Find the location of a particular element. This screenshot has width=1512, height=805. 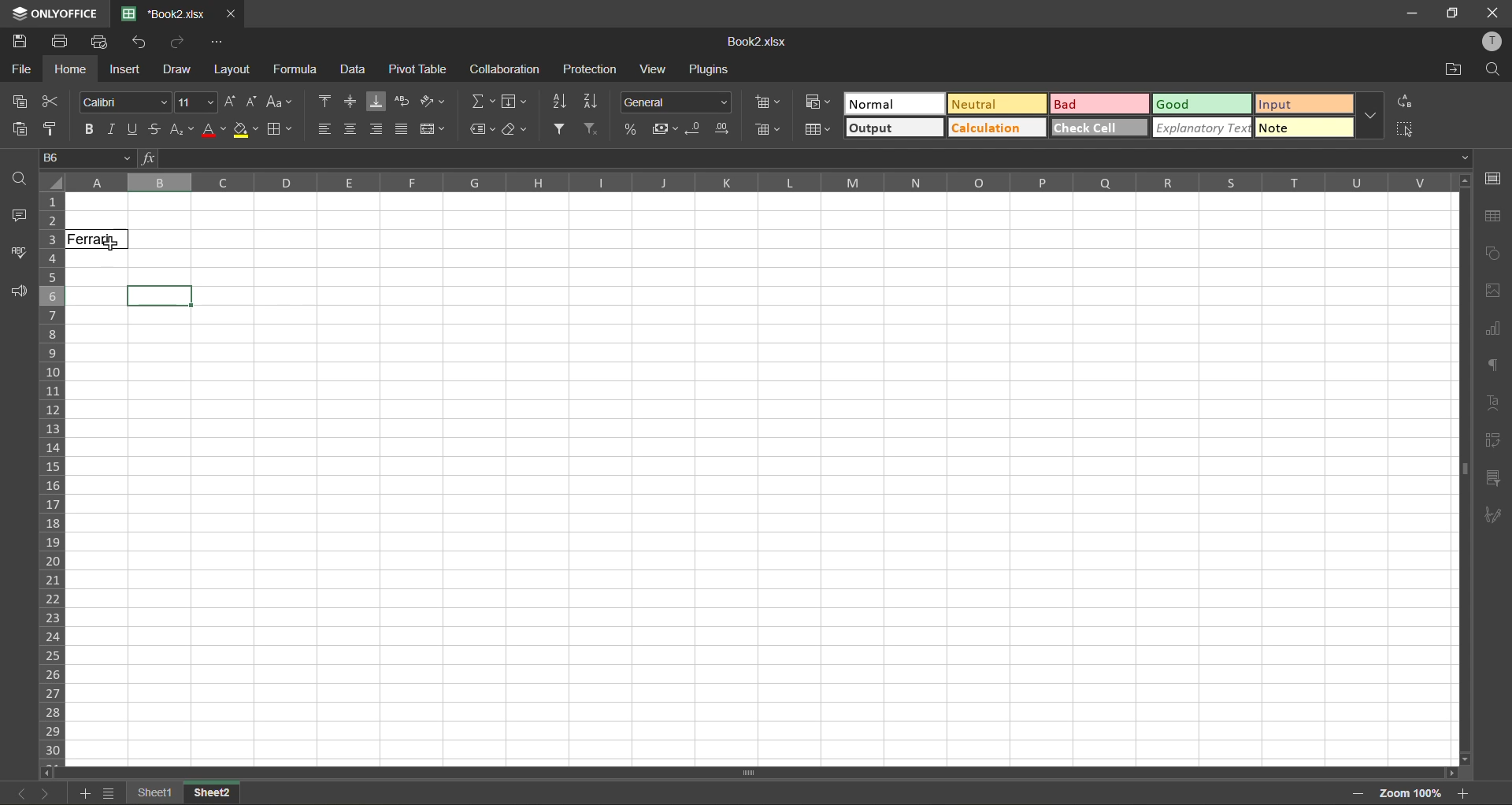

named ranges is located at coordinates (483, 131).